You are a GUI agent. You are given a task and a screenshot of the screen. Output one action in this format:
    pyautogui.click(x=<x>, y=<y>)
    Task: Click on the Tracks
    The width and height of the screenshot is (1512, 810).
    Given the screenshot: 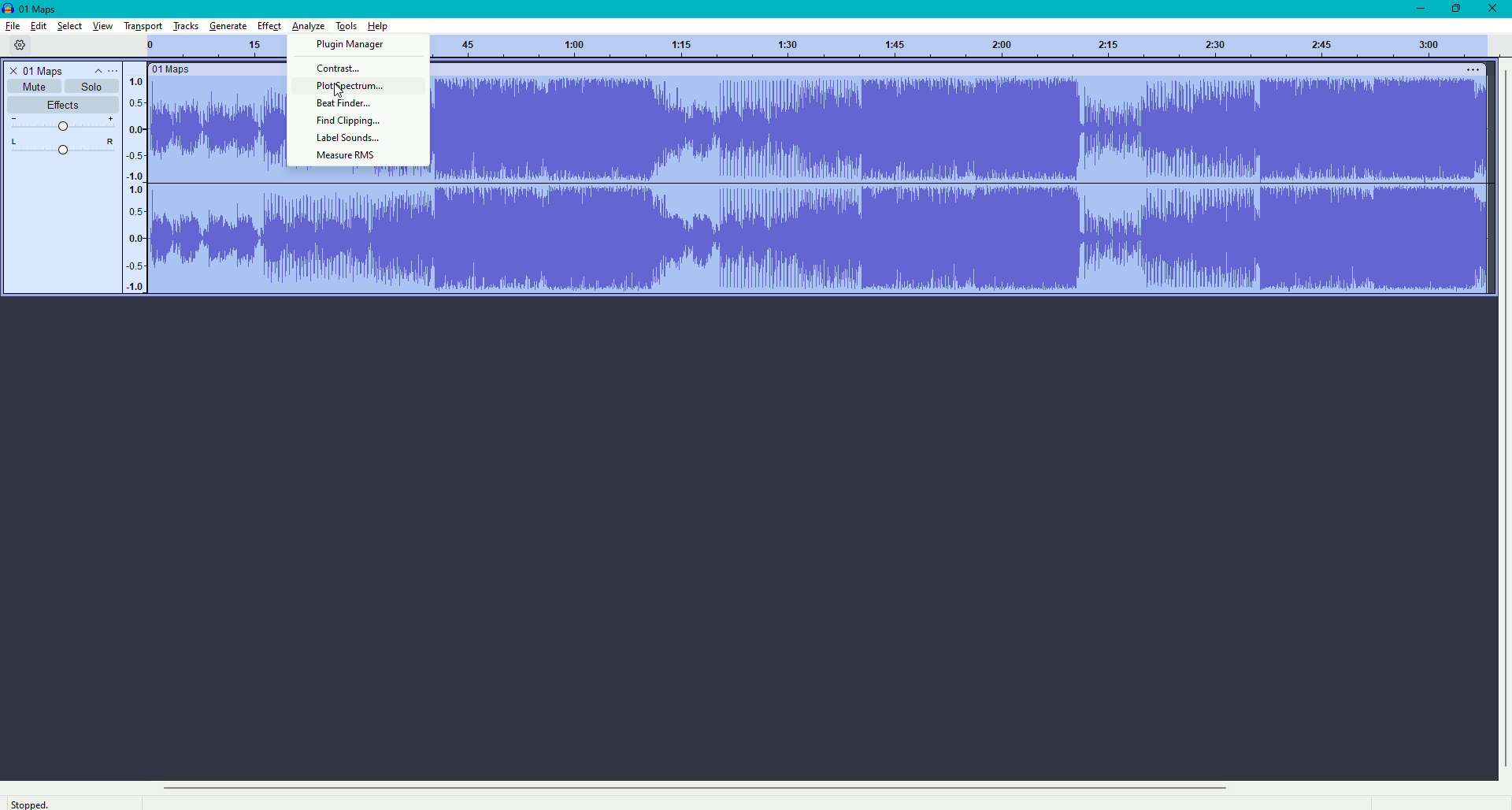 What is the action you would take?
    pyautogui.click(x=183, y=25)
    